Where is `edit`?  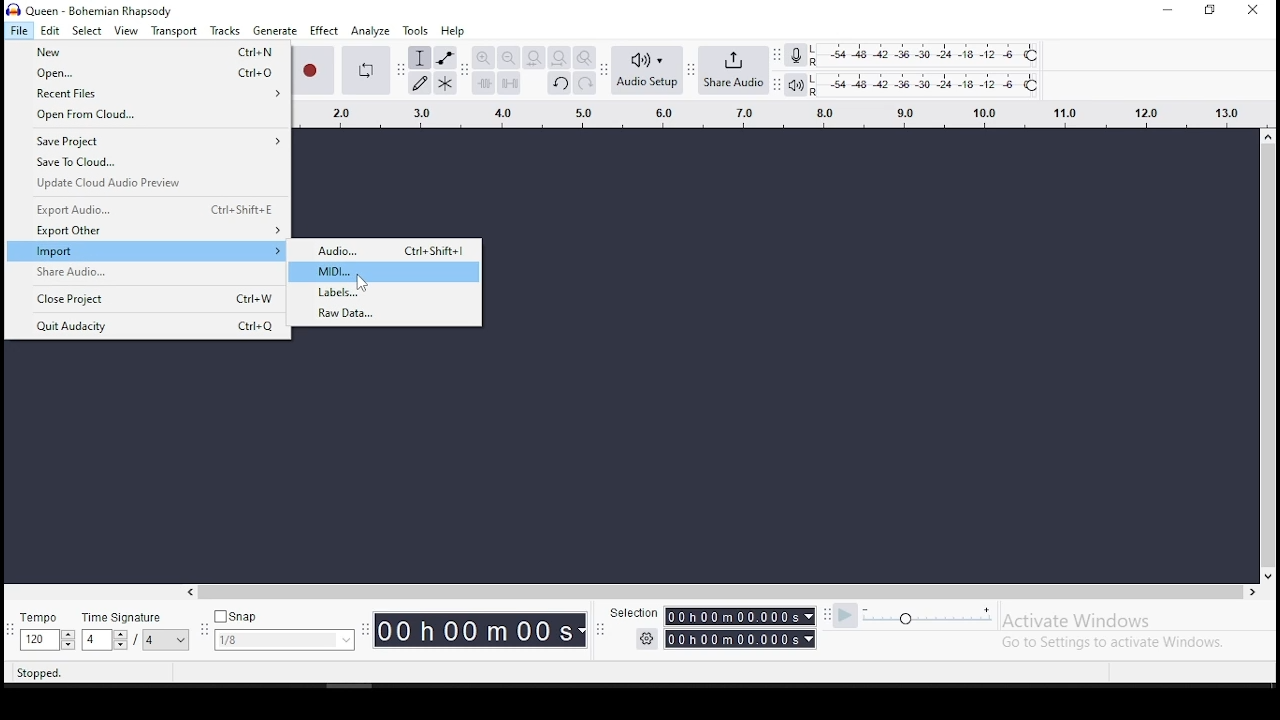 edit is located at coordinates (50, 31).